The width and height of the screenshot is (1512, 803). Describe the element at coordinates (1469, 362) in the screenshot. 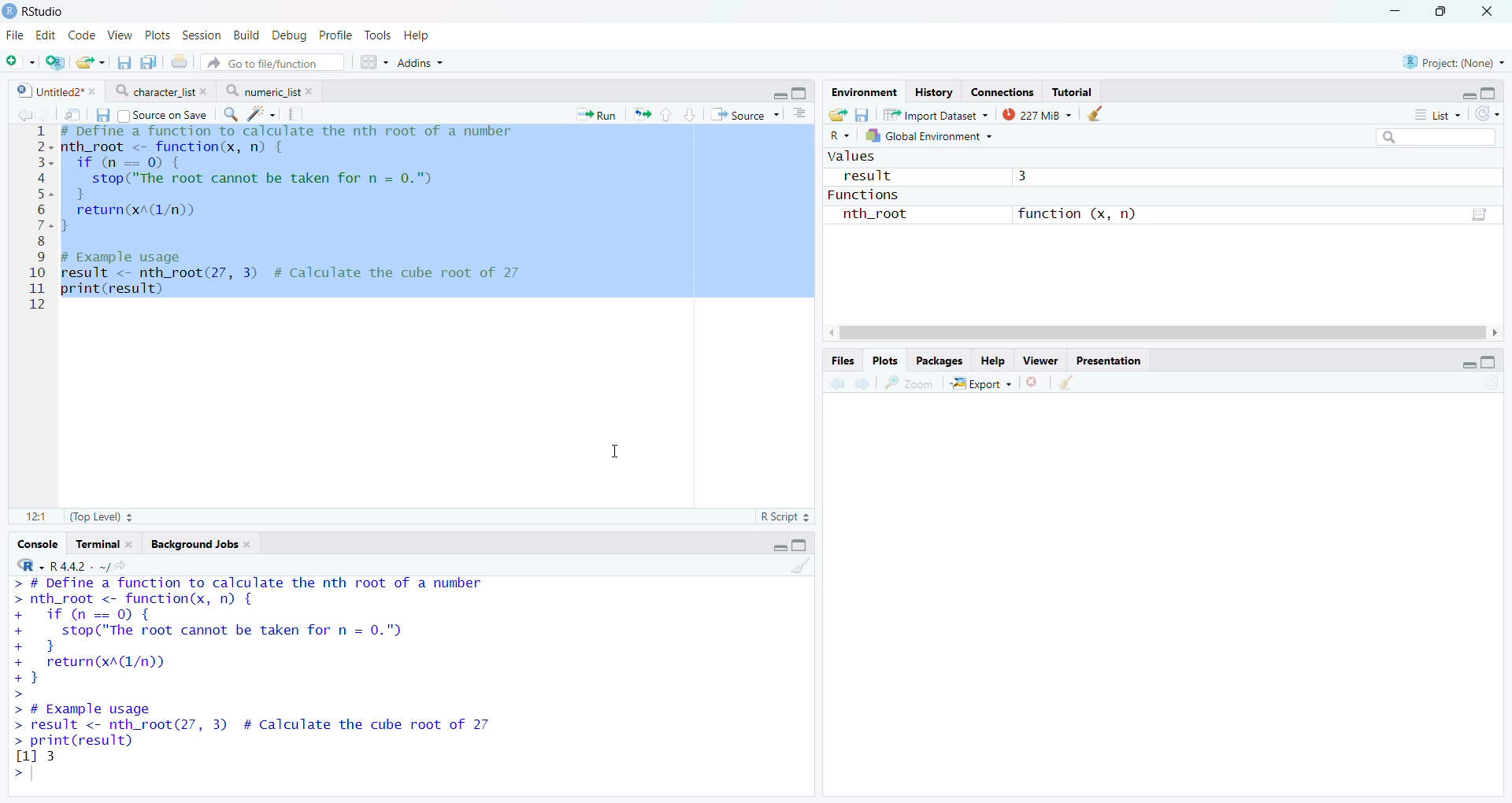

I see `Hide` at that location.